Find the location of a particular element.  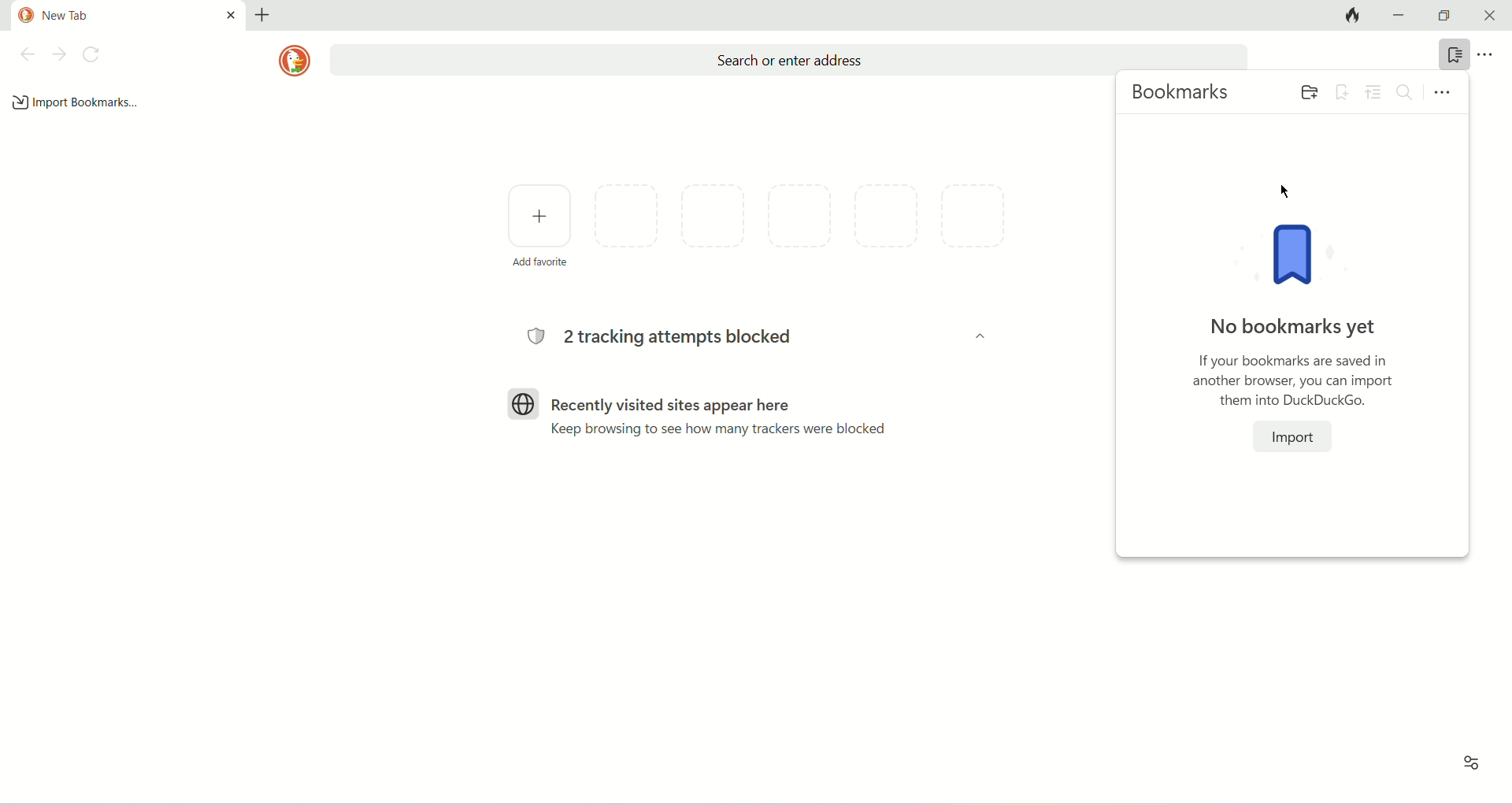

cursor is located at coordinates (1283, 190).